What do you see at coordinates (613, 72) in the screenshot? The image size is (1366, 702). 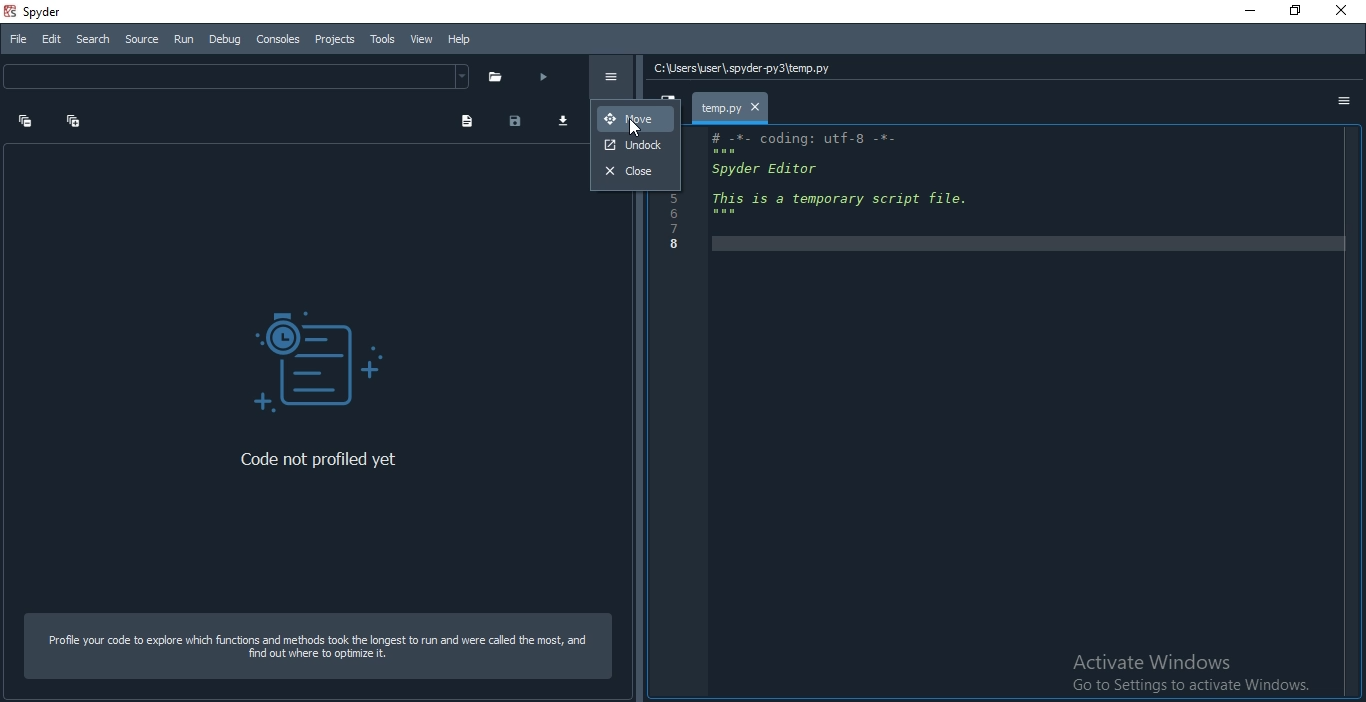 I see `options` at bounding box center [613, 72].